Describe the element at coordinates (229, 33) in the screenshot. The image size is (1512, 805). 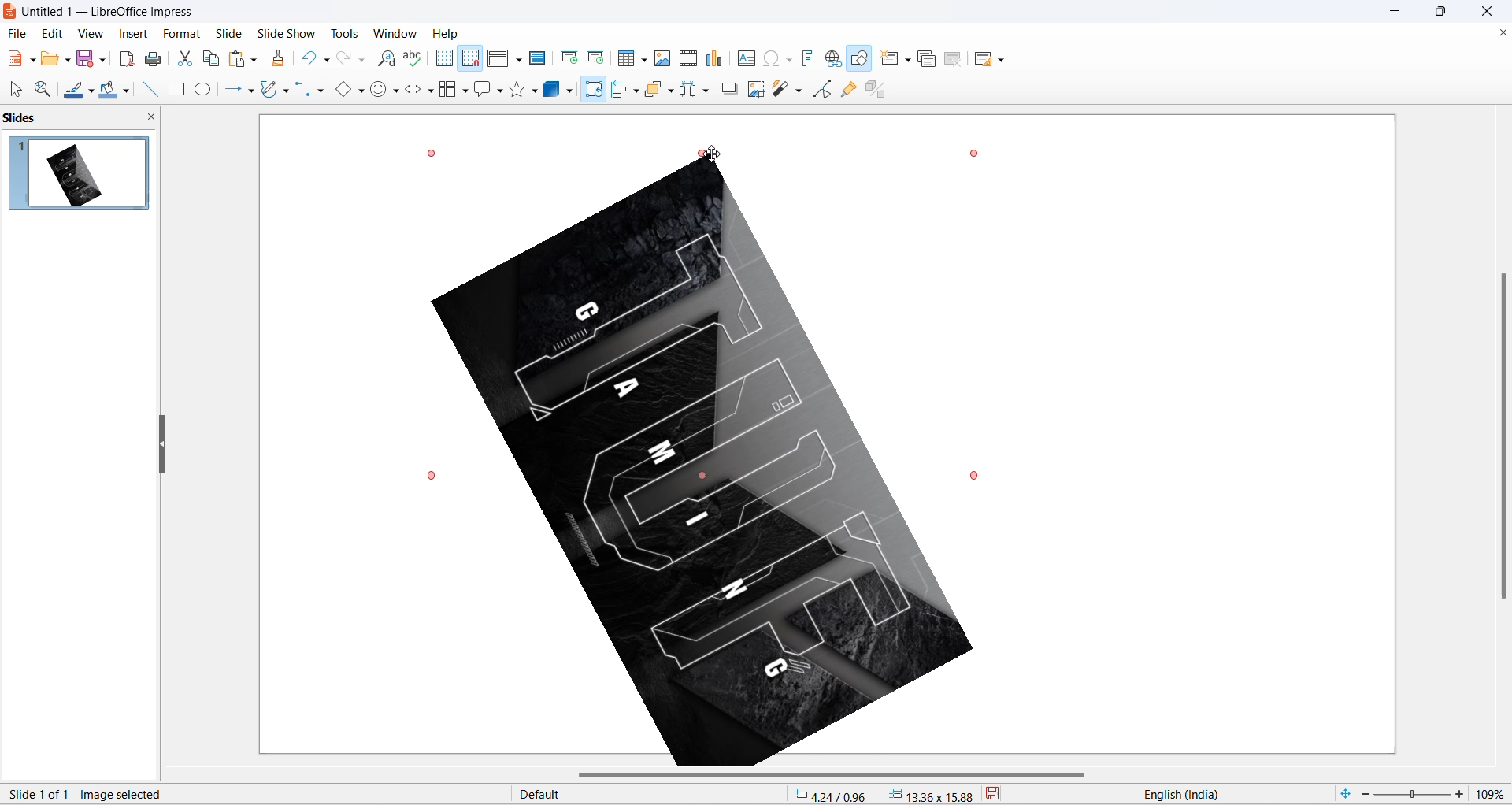
I see `slide` at that location.